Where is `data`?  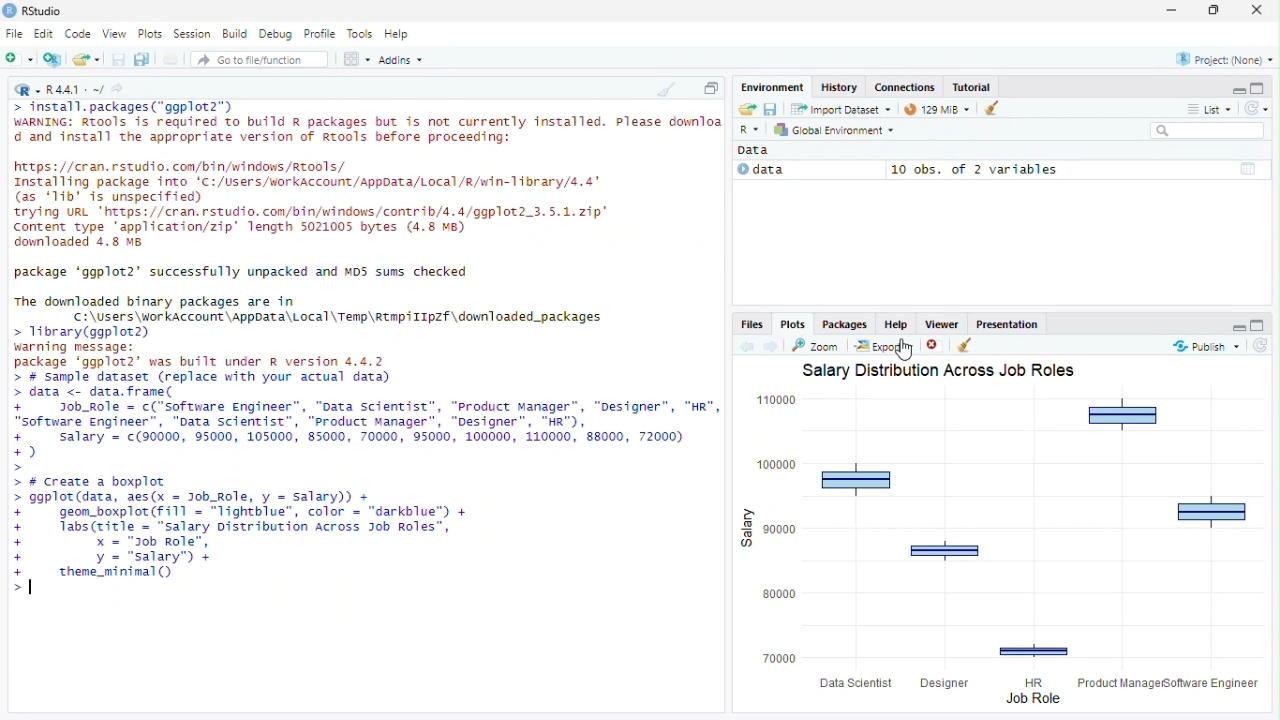
data is located at coordinates (808, 170).